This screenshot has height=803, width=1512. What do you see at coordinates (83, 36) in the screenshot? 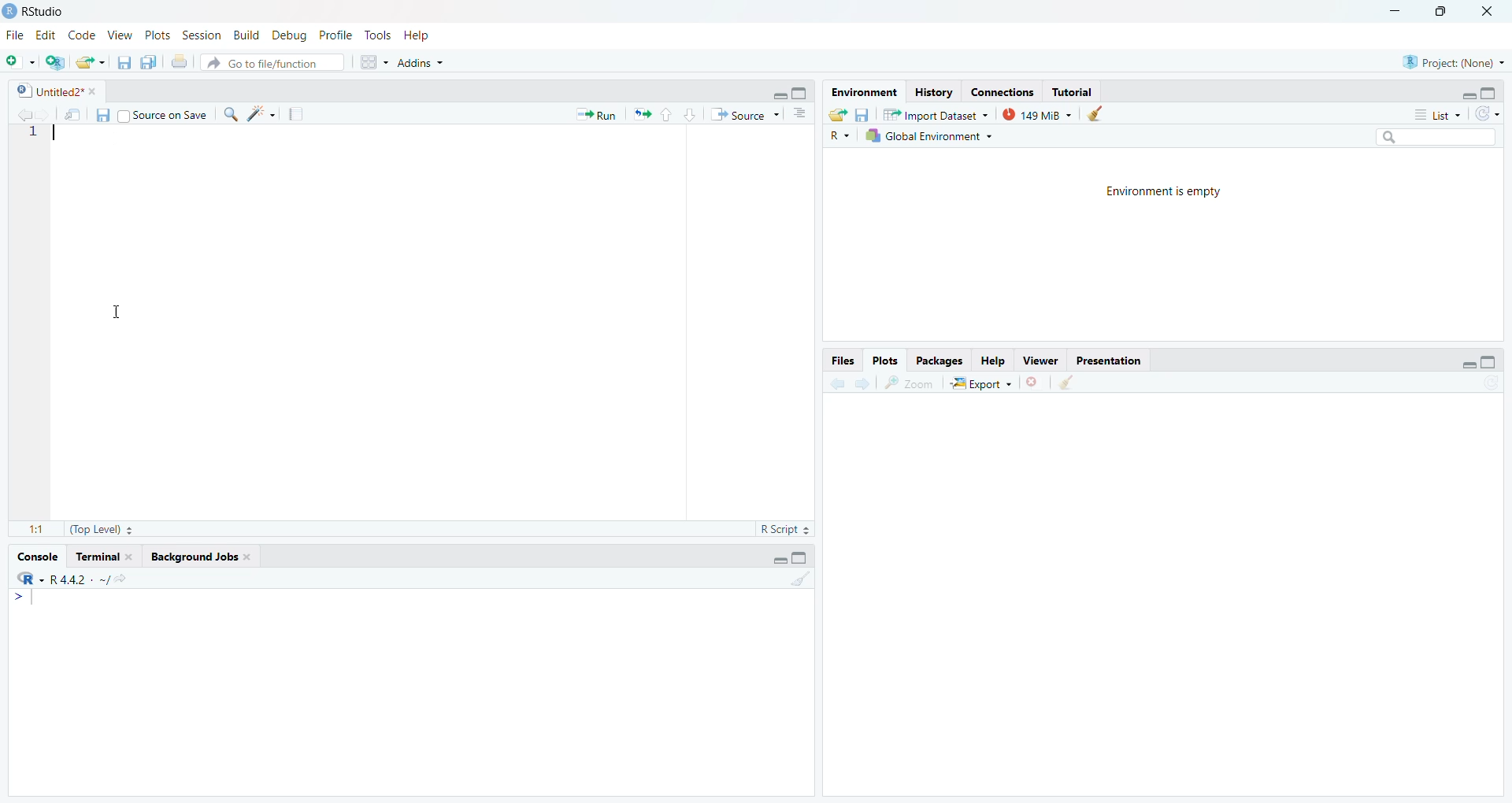
I see `Code` at bounding box center [83, 36].